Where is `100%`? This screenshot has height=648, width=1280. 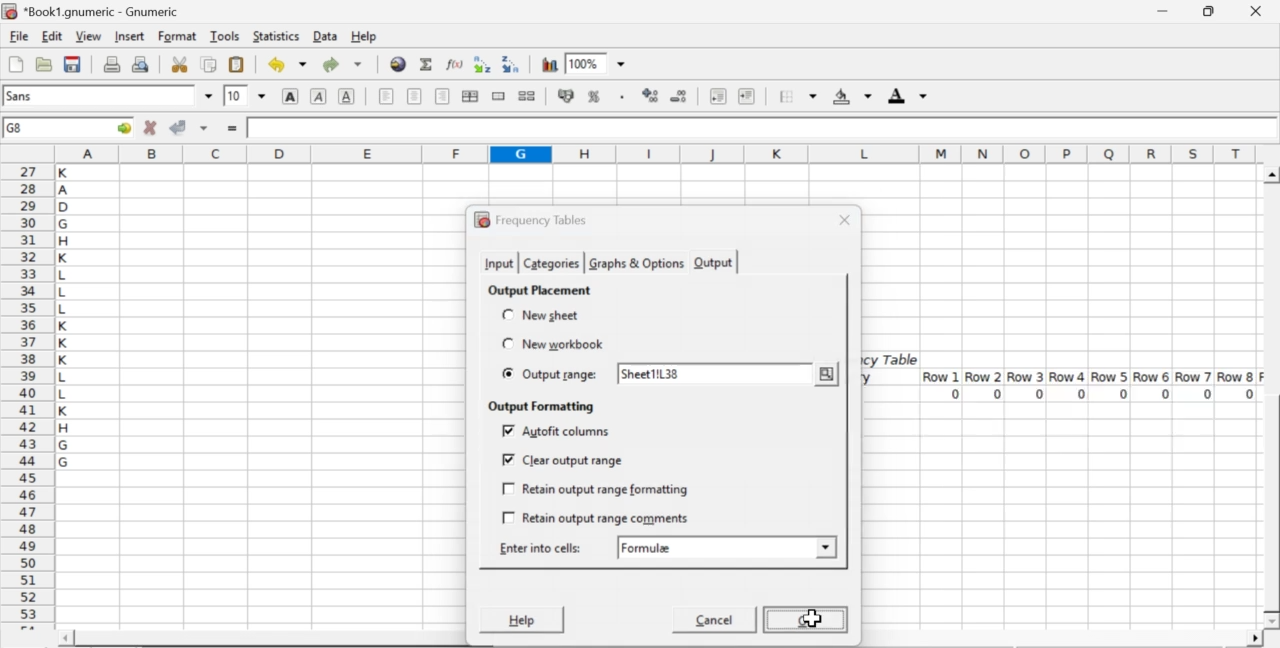
100% is located at coordinates (583, 63).